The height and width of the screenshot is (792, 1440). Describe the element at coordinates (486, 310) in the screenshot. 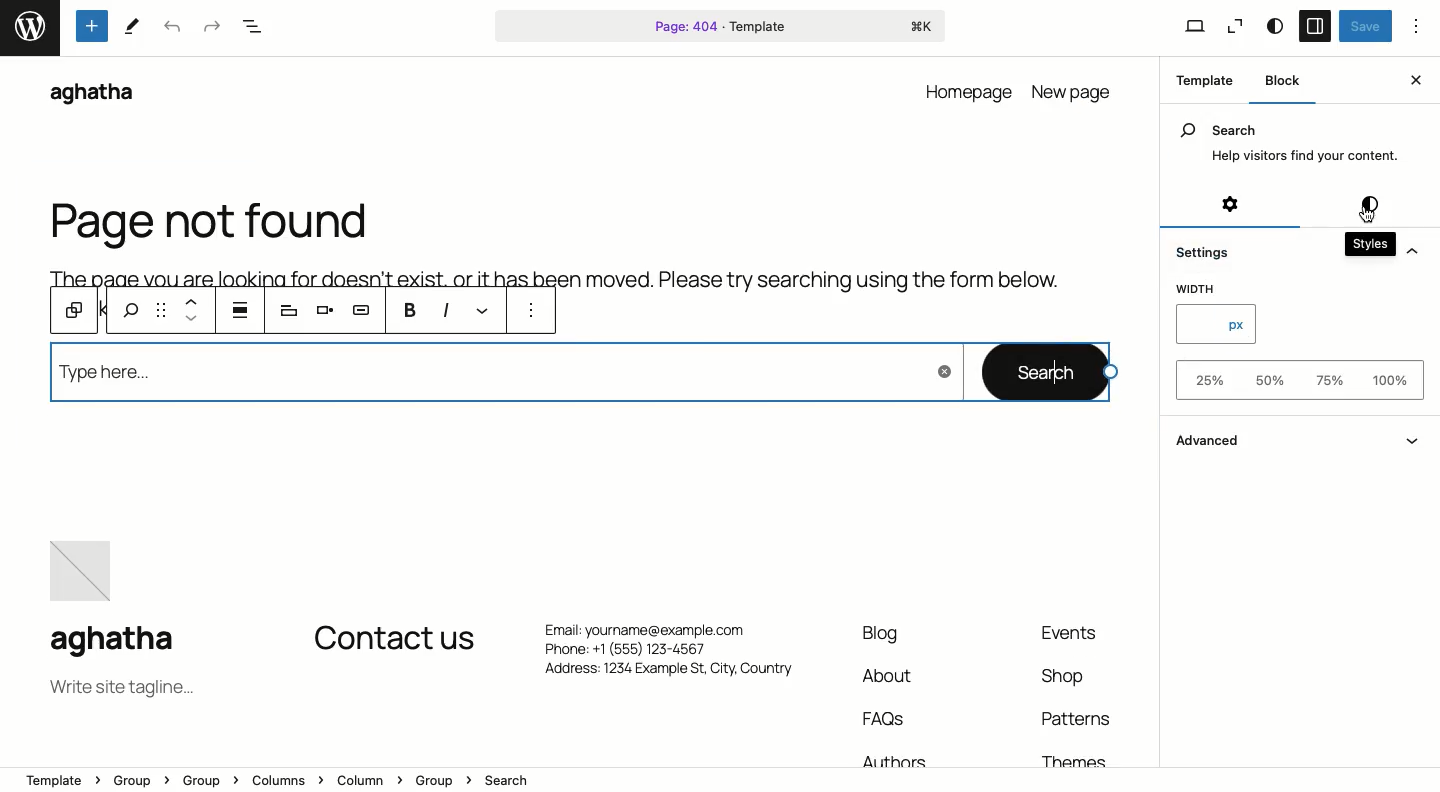

I see `Link` at that location.